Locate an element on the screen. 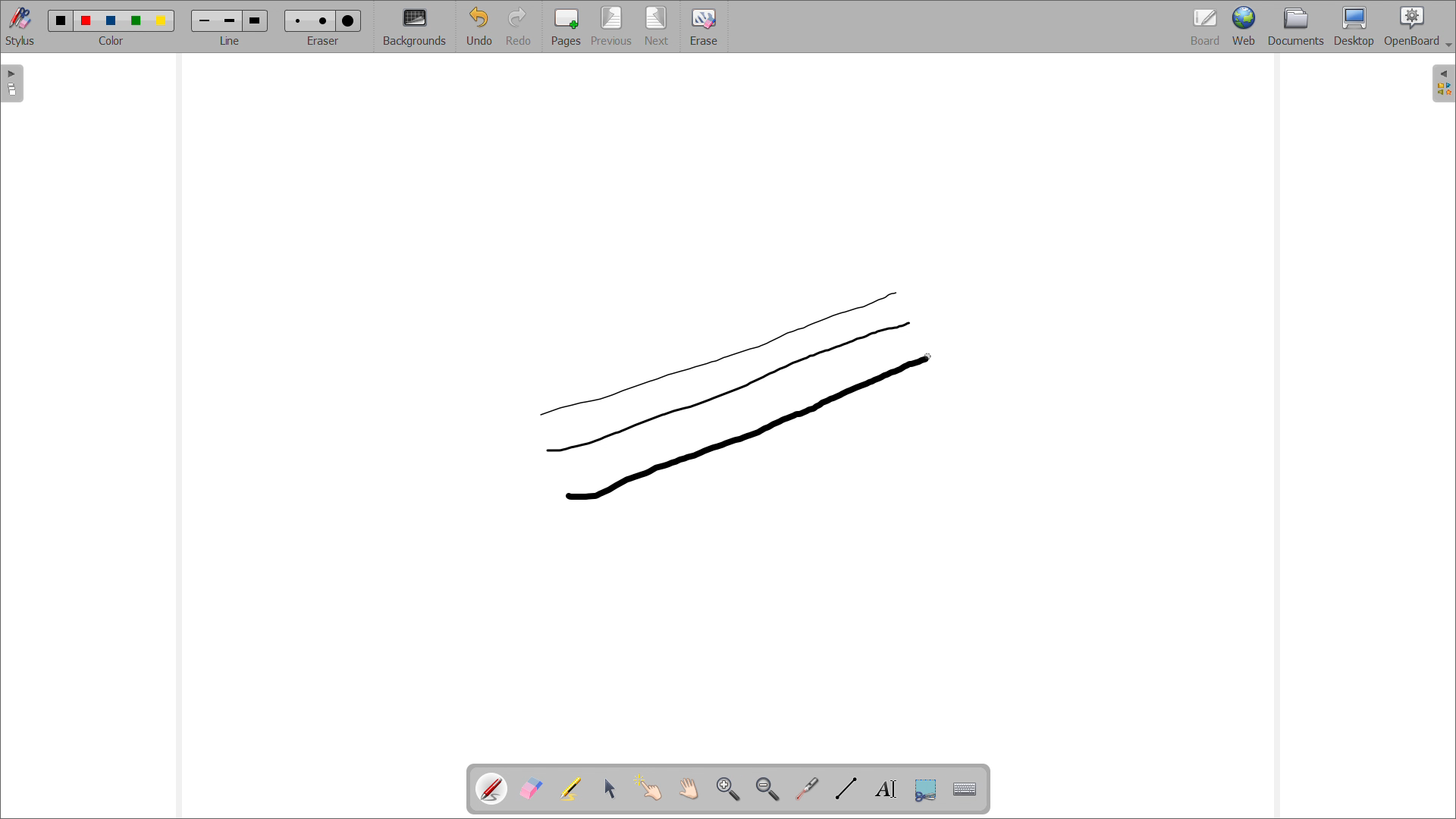  select color is located at coordinates (110, 41).